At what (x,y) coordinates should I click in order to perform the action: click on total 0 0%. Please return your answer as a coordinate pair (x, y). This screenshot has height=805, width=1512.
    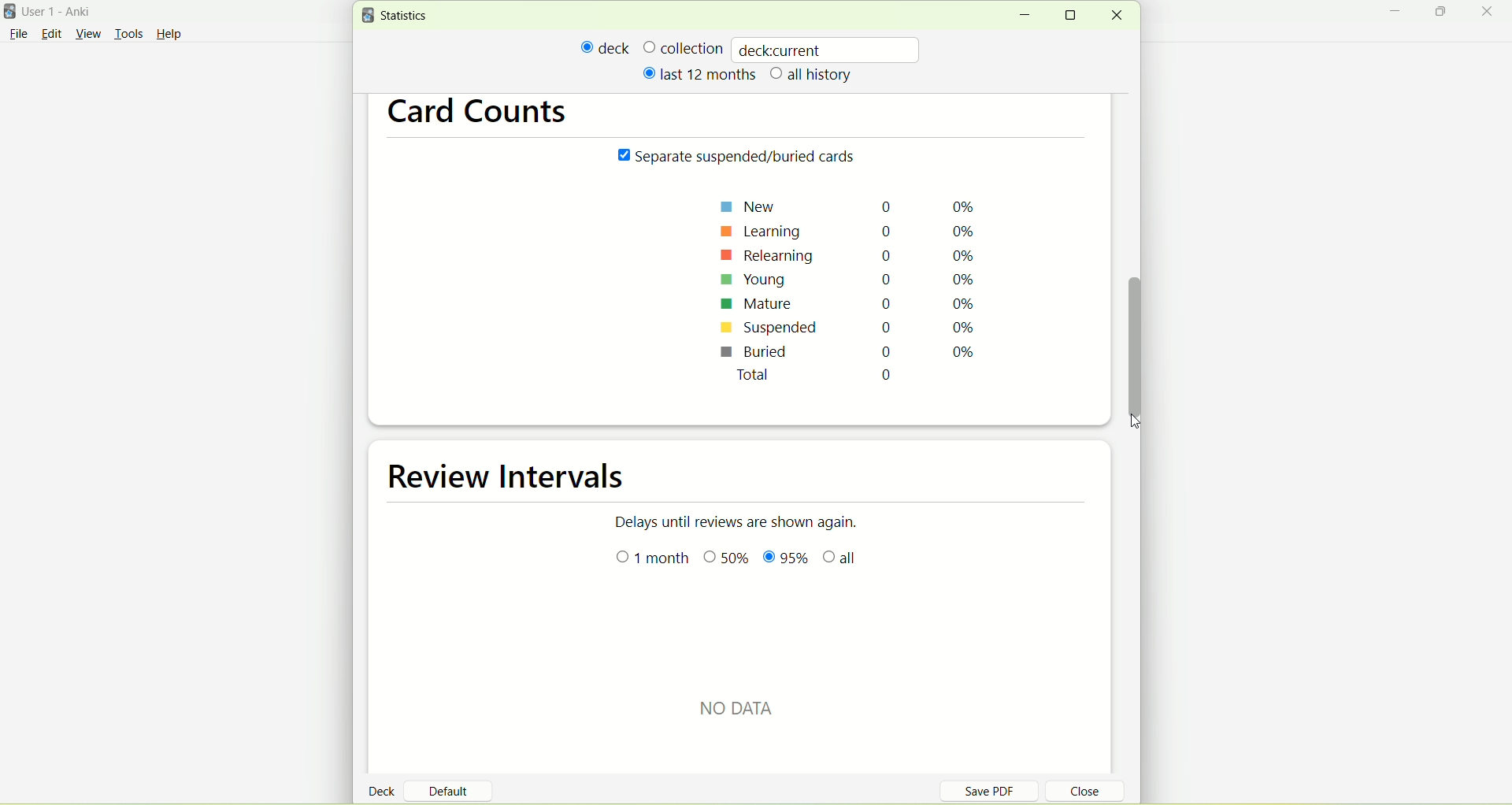
    Looking at the image, I should click on (865, 379).